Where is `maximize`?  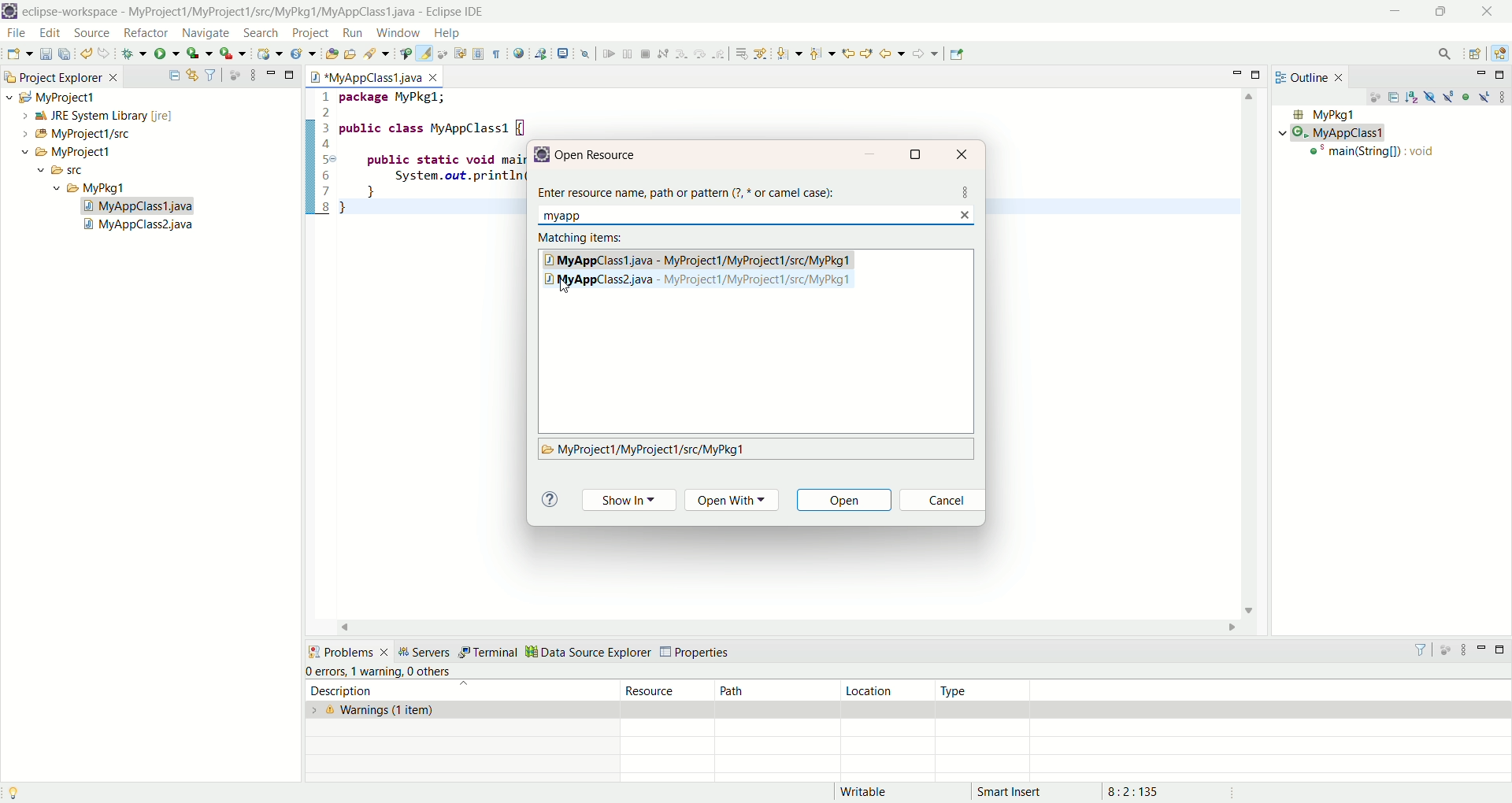 maximize is located at coordinates (1502, 652).